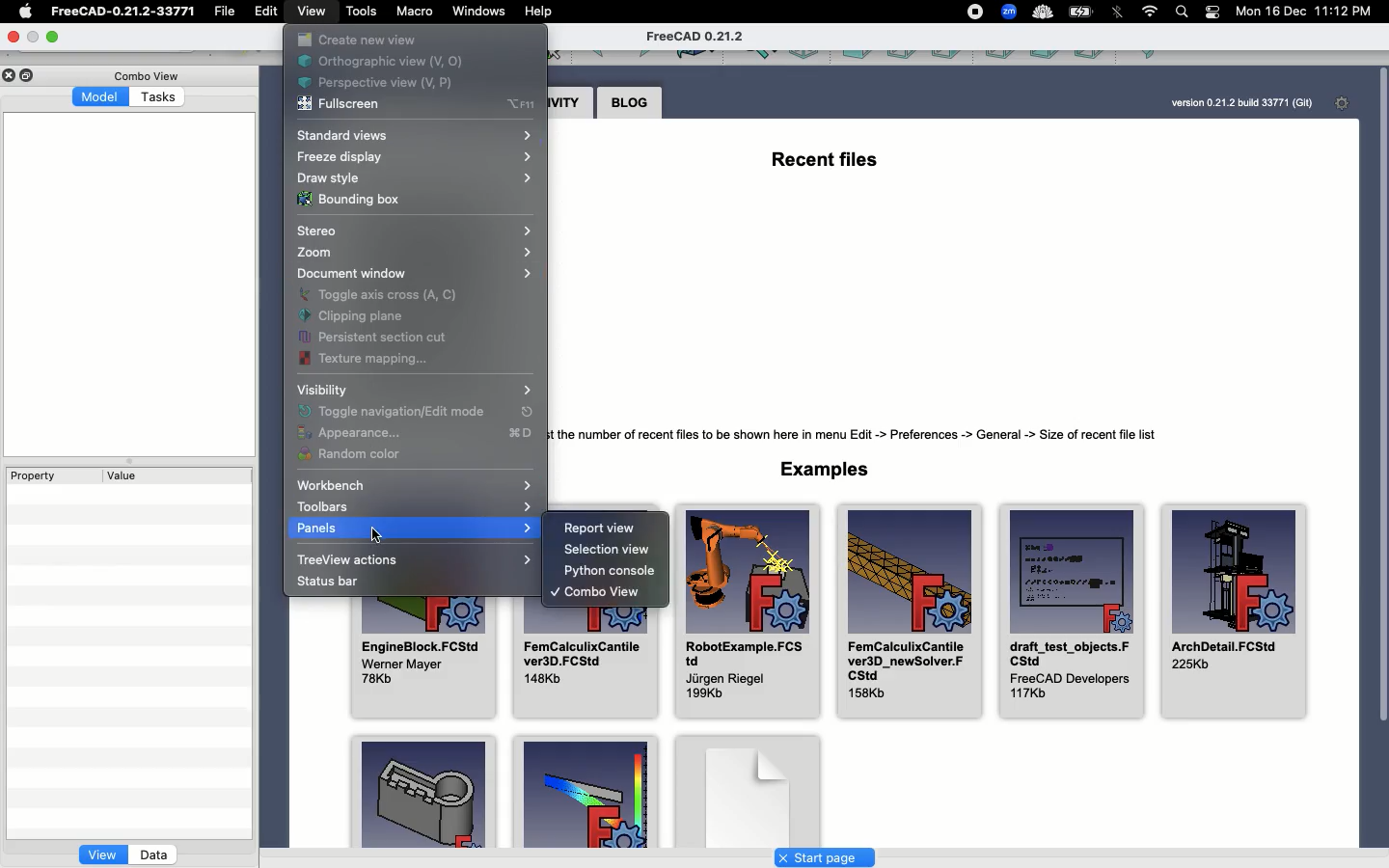 The height and width of the screenshot is (868, 1389). I want to click on Mon 16 Dec 11:12 PM, so click(1308, 12).